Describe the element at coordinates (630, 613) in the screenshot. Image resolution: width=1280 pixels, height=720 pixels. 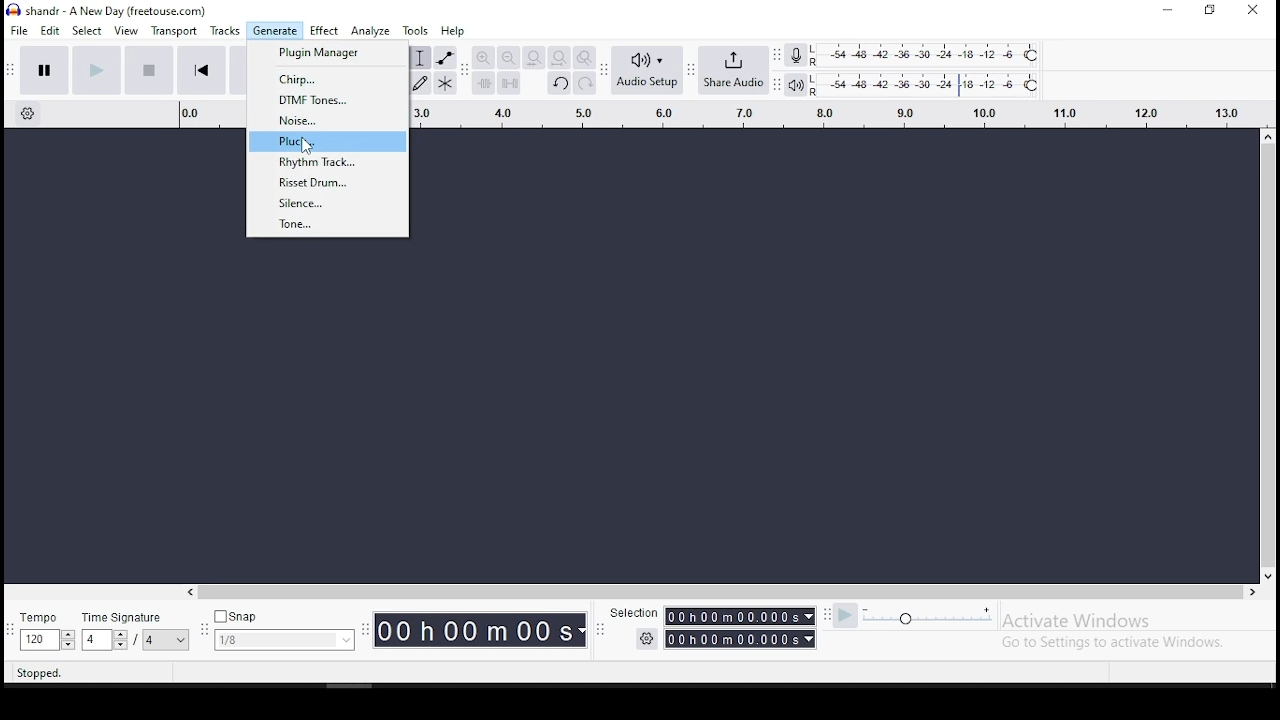
I see `` at that location.